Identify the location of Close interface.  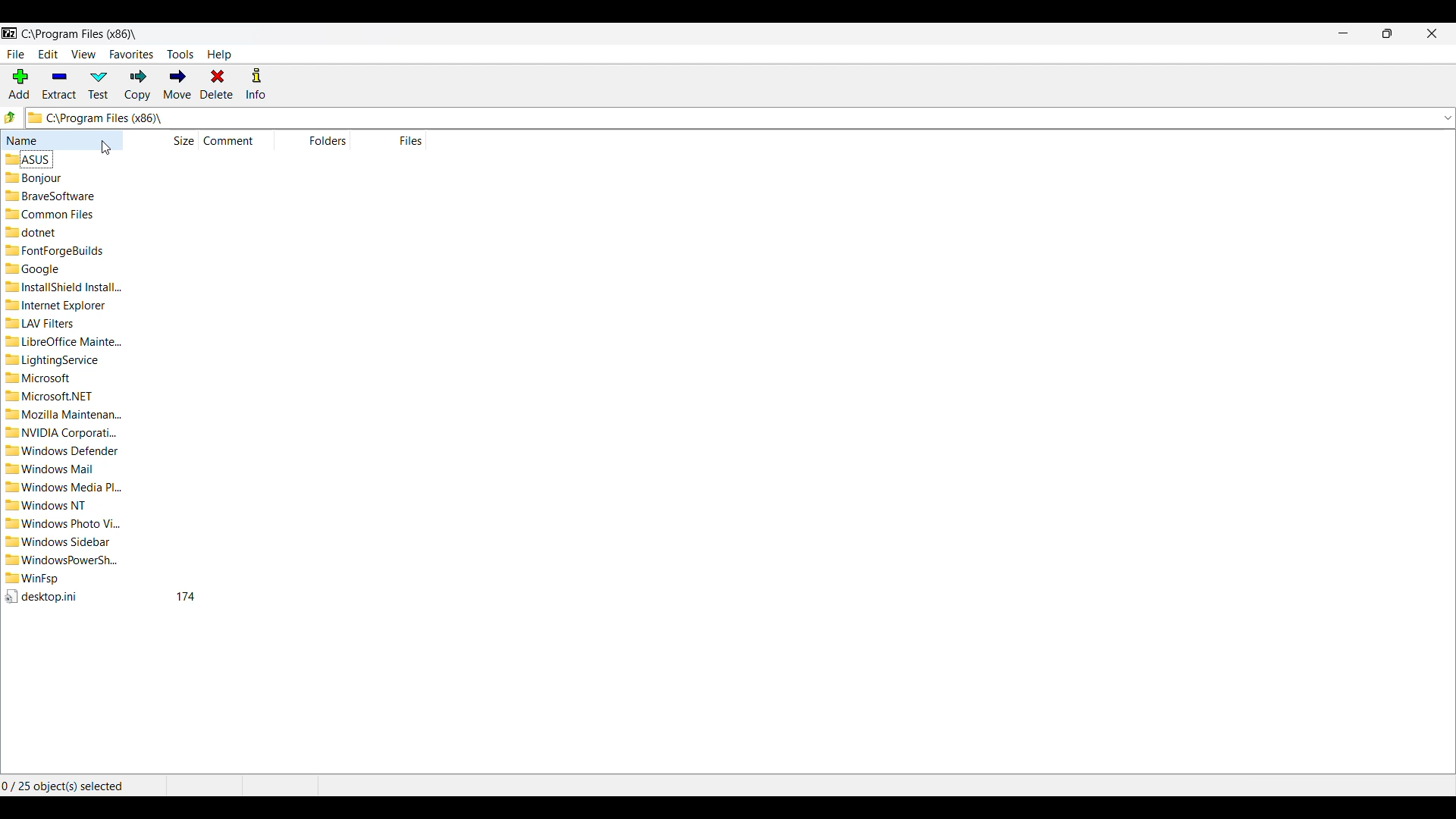
(1432, 33).